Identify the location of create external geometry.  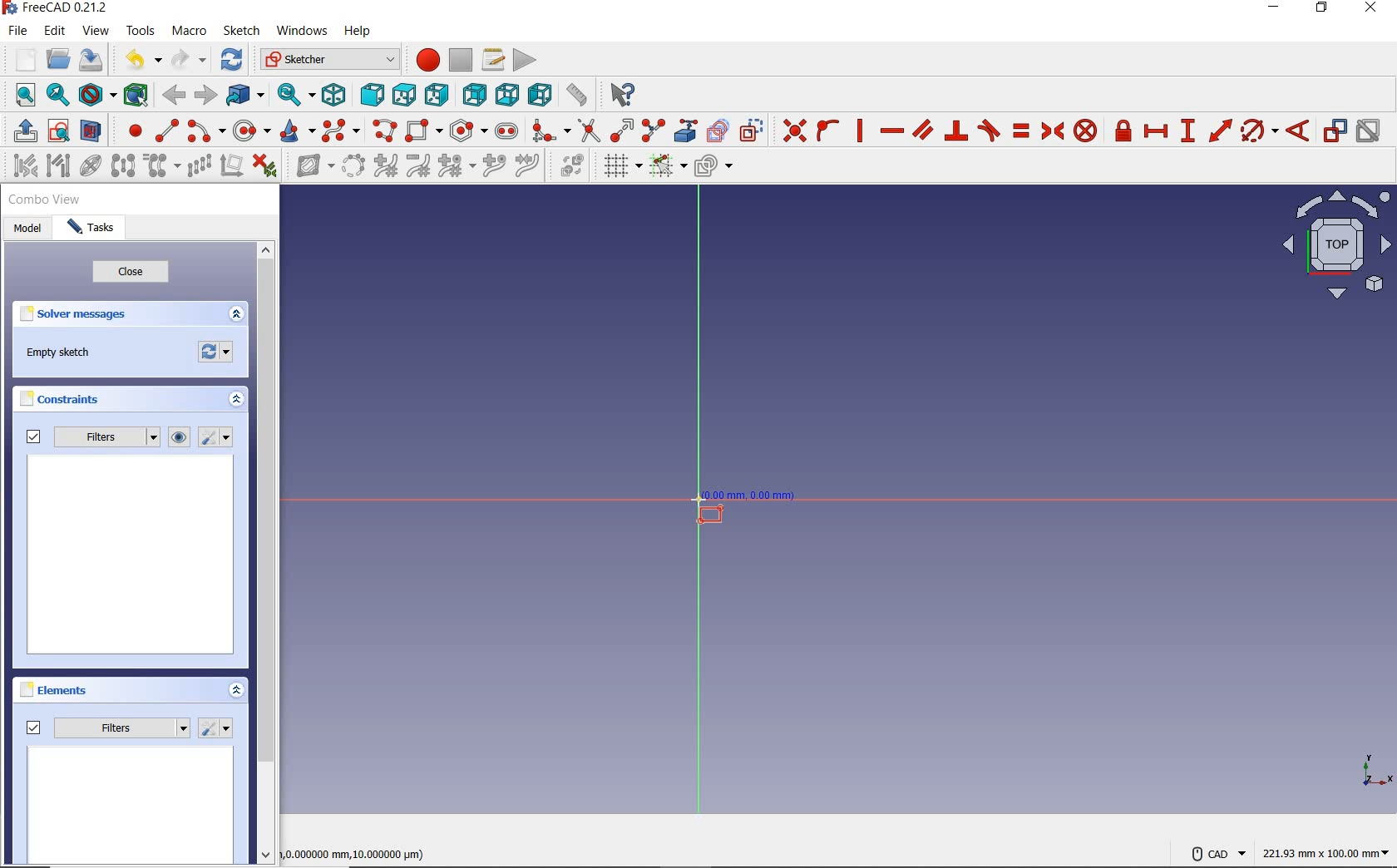
(687, 131).